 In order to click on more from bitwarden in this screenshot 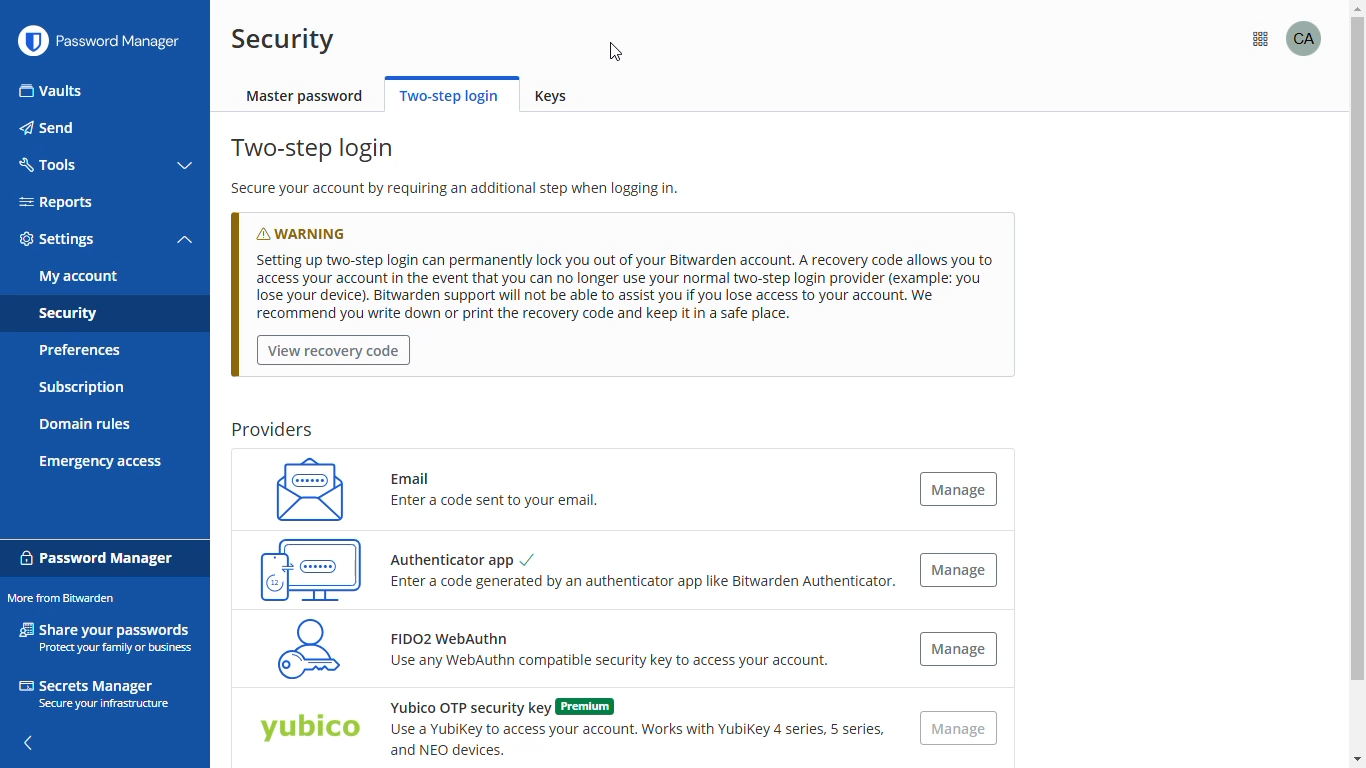, I will do `click(1278, 40)`.